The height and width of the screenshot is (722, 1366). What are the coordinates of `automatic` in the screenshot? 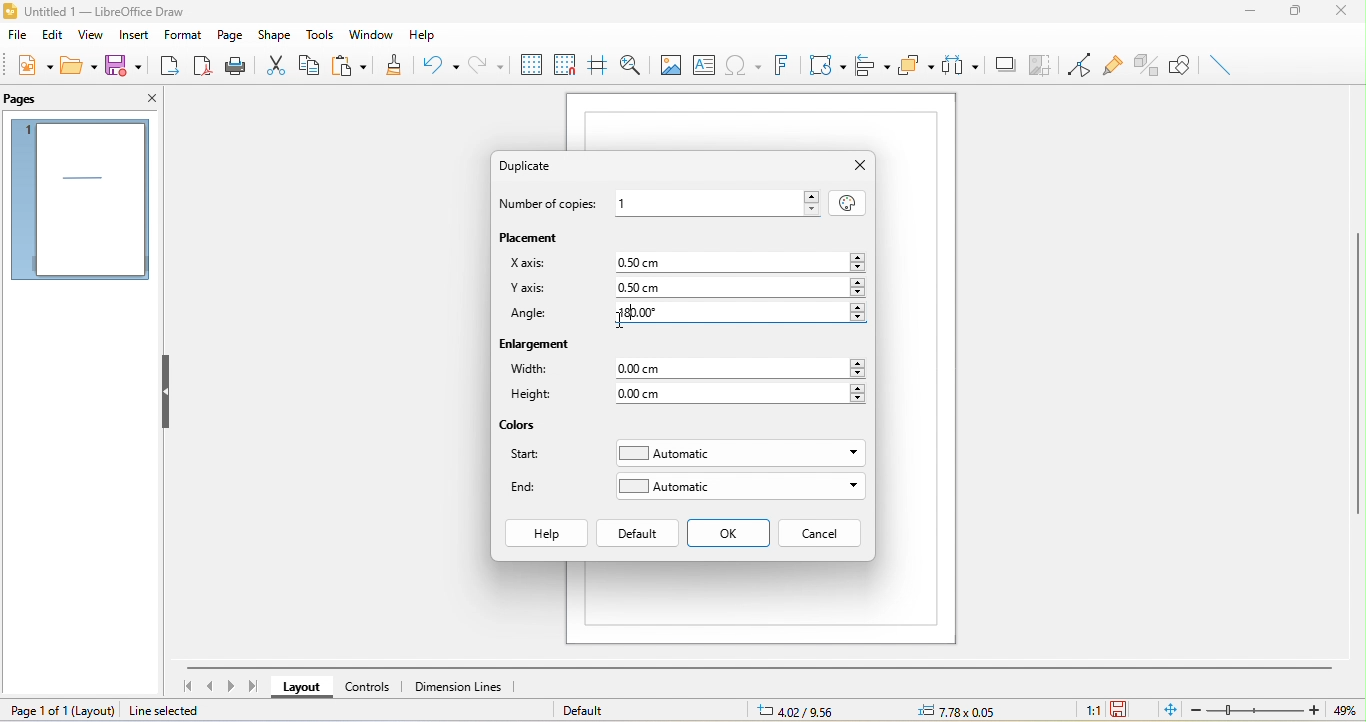 It's located at (738, 454).